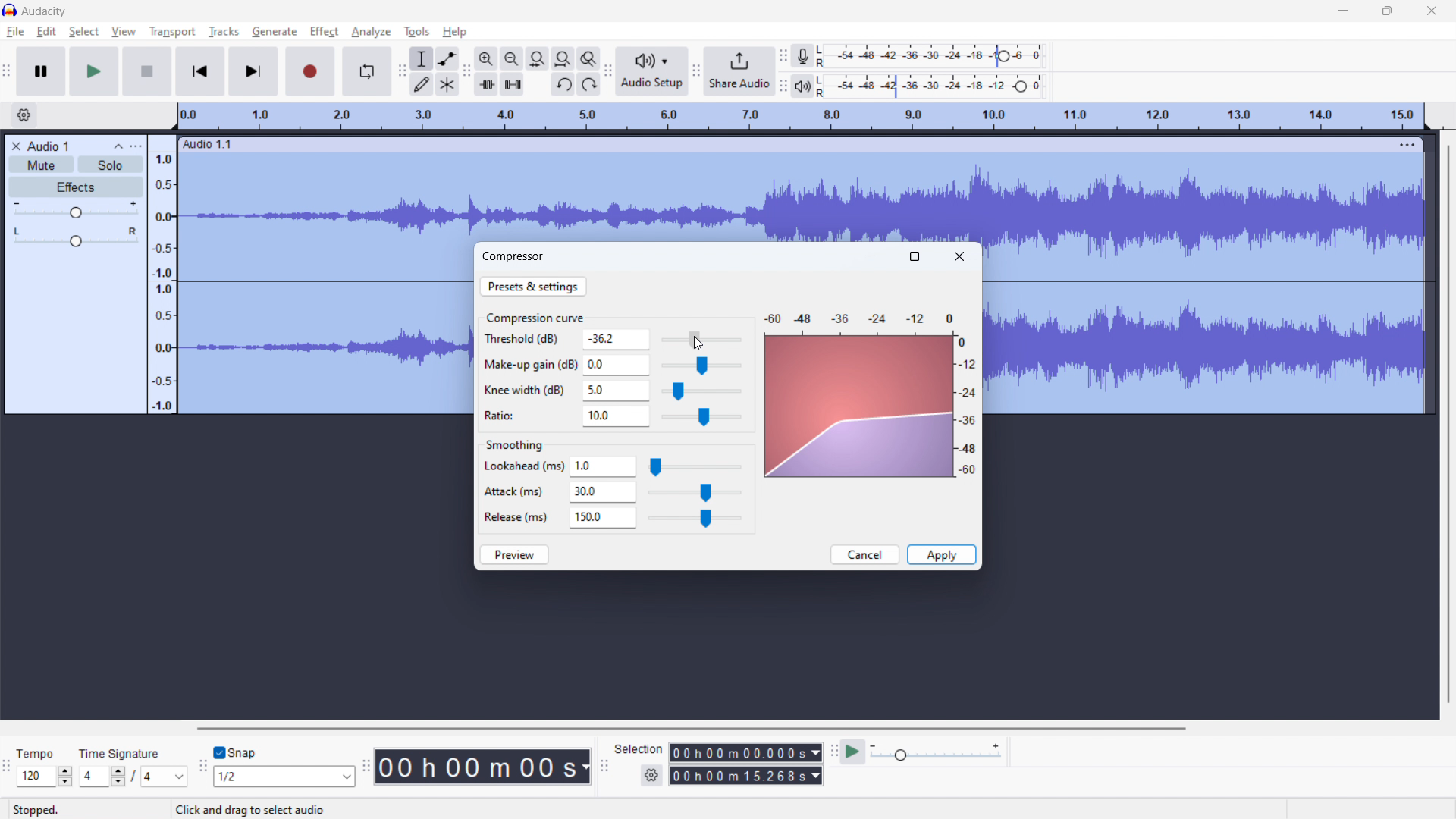 This screenshot has width=1456, height=819. What do you see at coordinates (1388, 11) in the screenshot?
I see `maximize` at bounding box center [1388, 11].